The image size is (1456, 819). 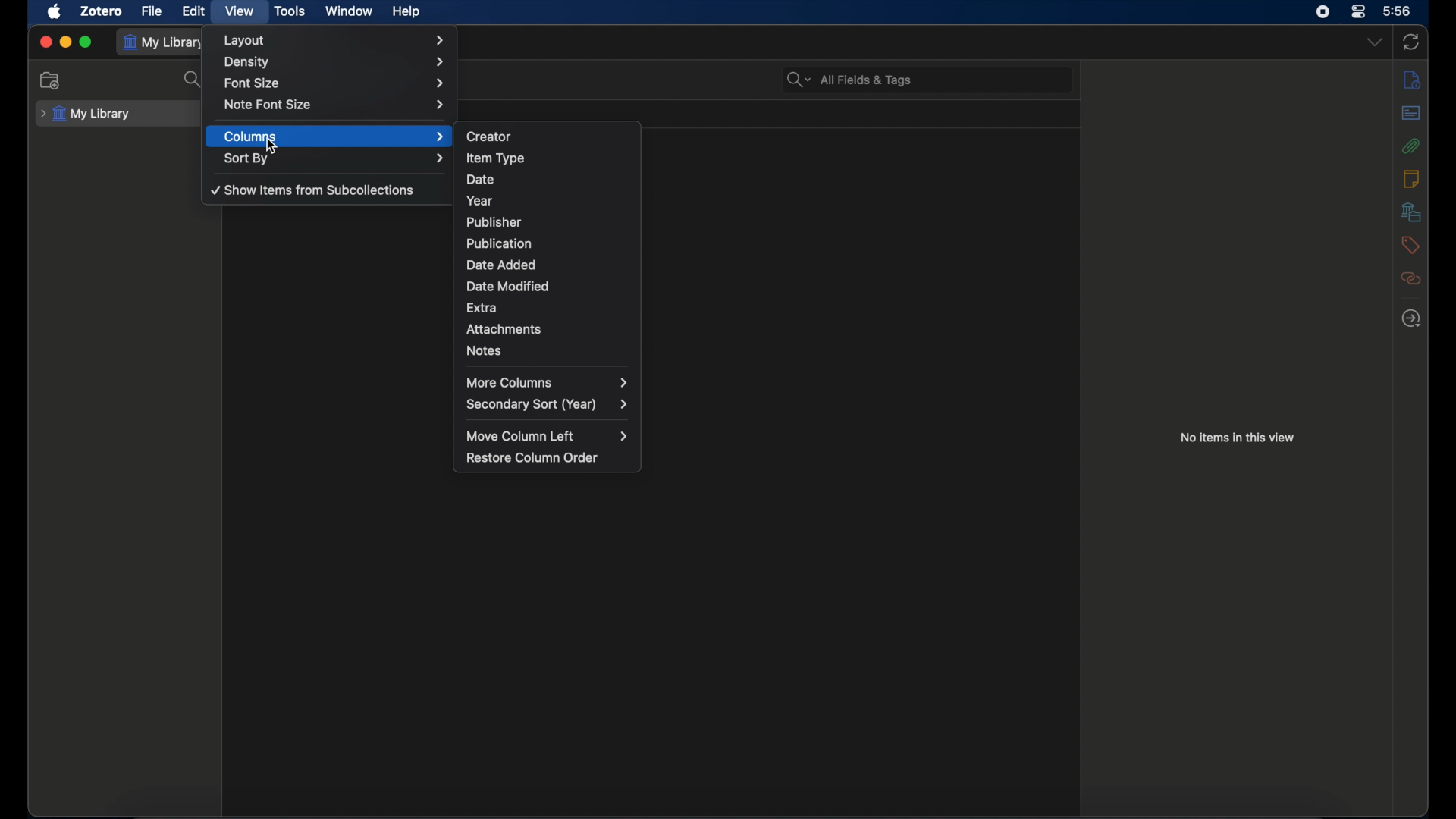 I want to click on sort by, so click(x=334, y=158).